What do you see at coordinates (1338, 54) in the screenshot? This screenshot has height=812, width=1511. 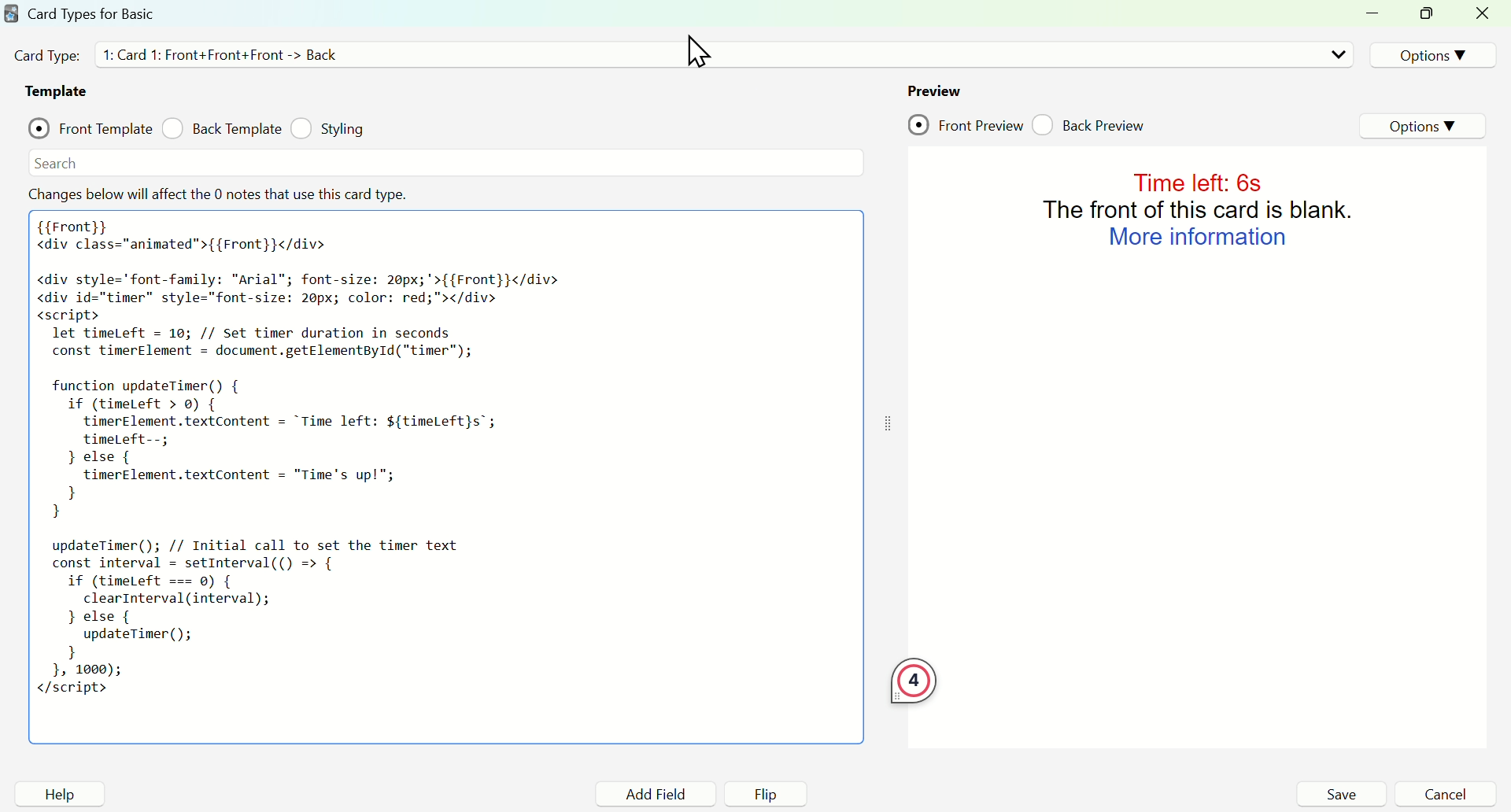 I see `dropdown` at bounding box center [1338, 54].